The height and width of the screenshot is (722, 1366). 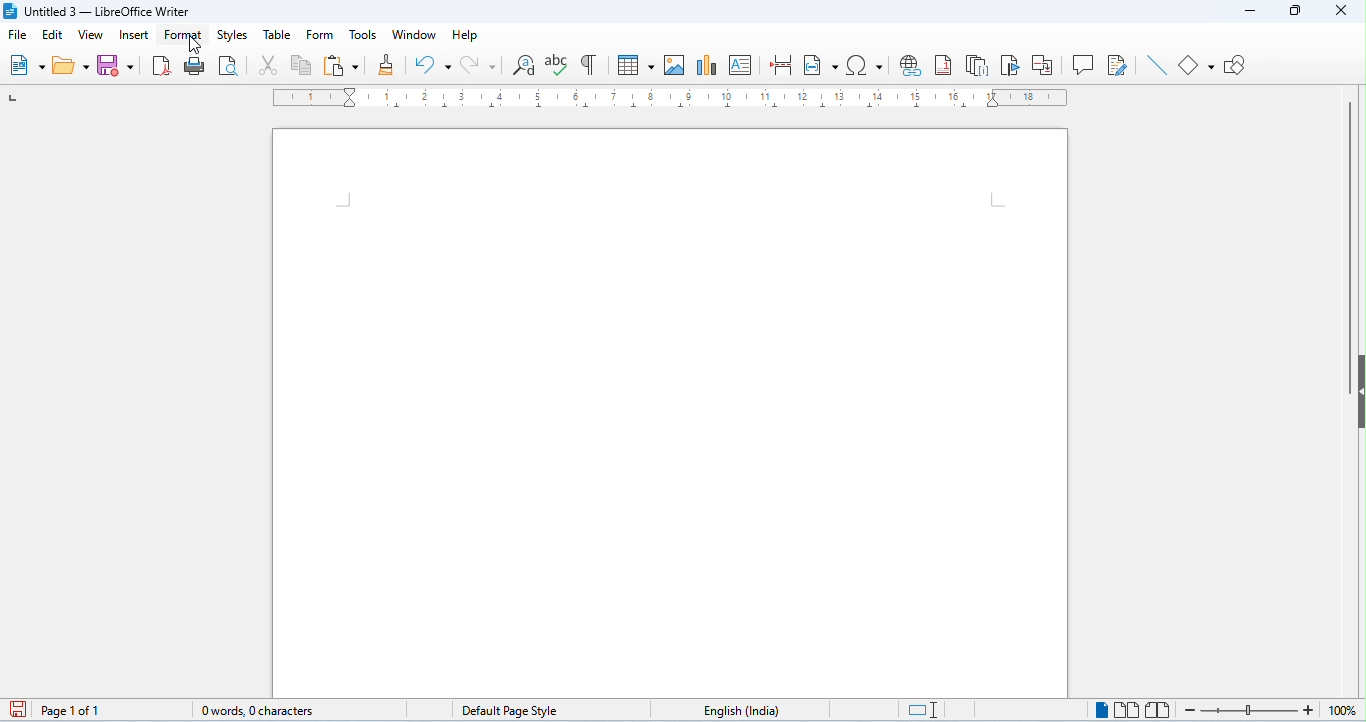 What do you see at coordinates (91, 36) in the screenshot?
I see `view` at bounding box center [91, 36].